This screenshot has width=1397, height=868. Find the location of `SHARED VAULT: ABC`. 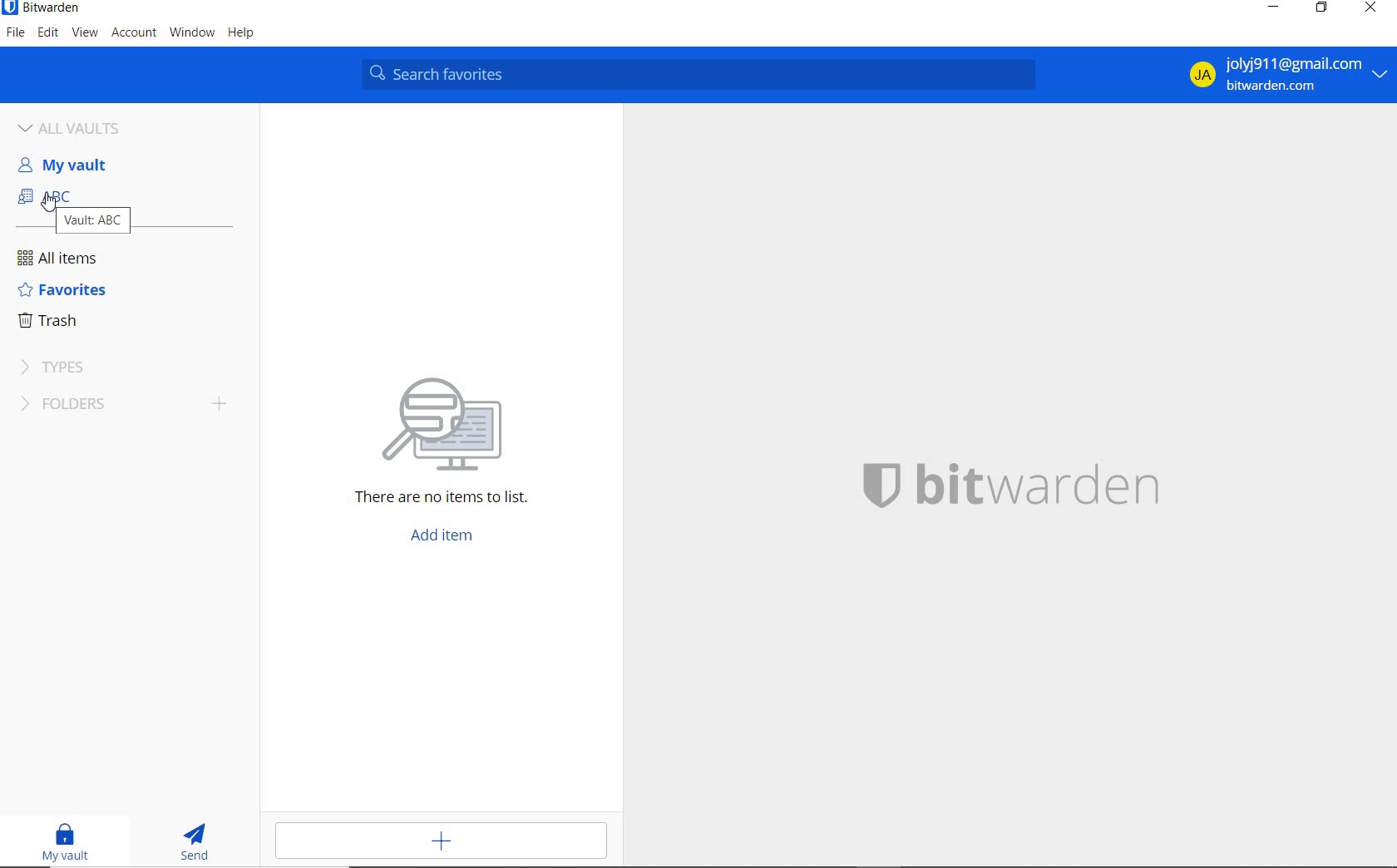

SHARED VAULT: ABC is located at coordinates (81, 194).